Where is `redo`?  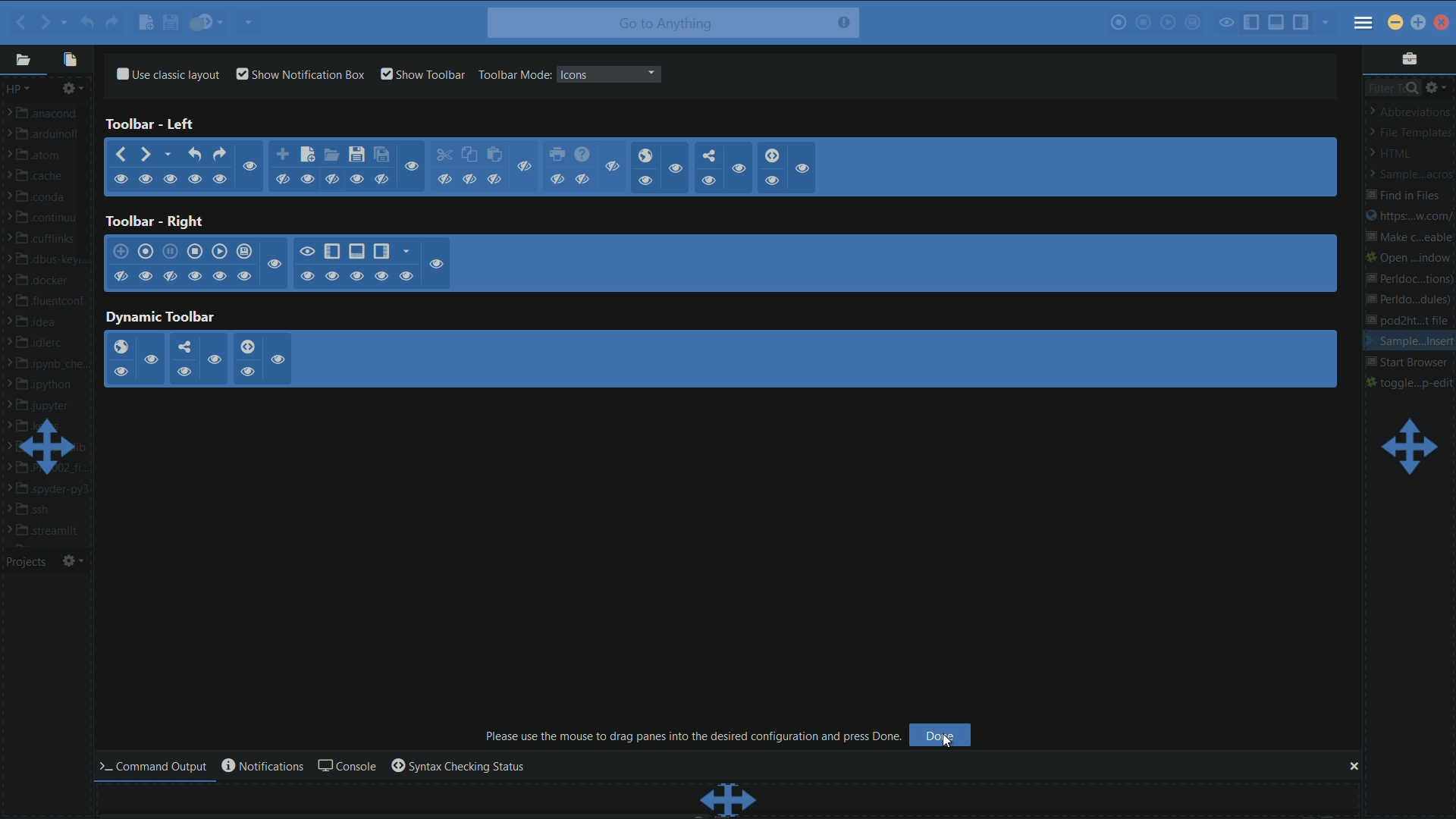 redo is located at coordinates (221, 153).